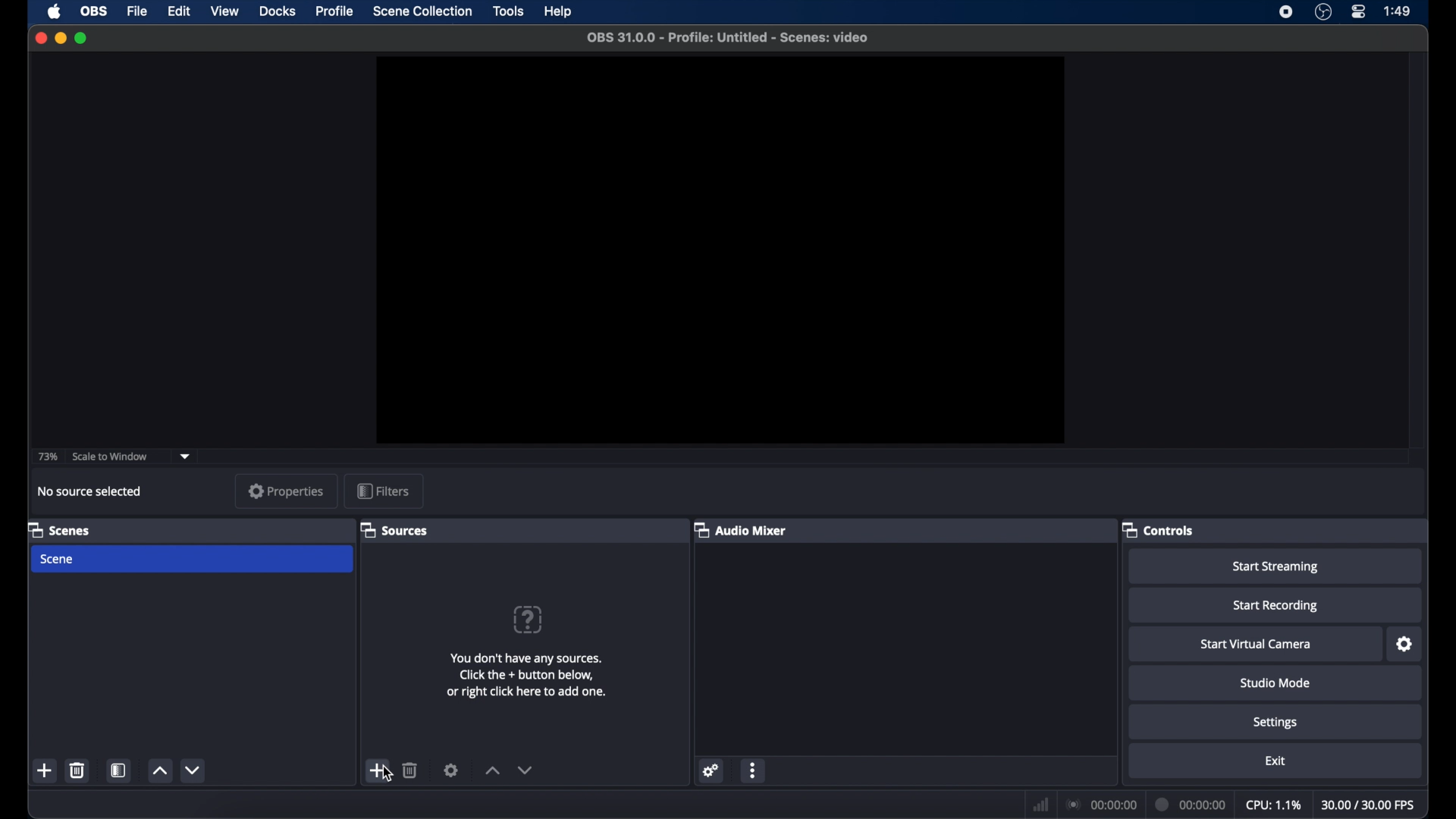 This screenshot has height=819, width=1456. I want to click on add, so click(45, 770).